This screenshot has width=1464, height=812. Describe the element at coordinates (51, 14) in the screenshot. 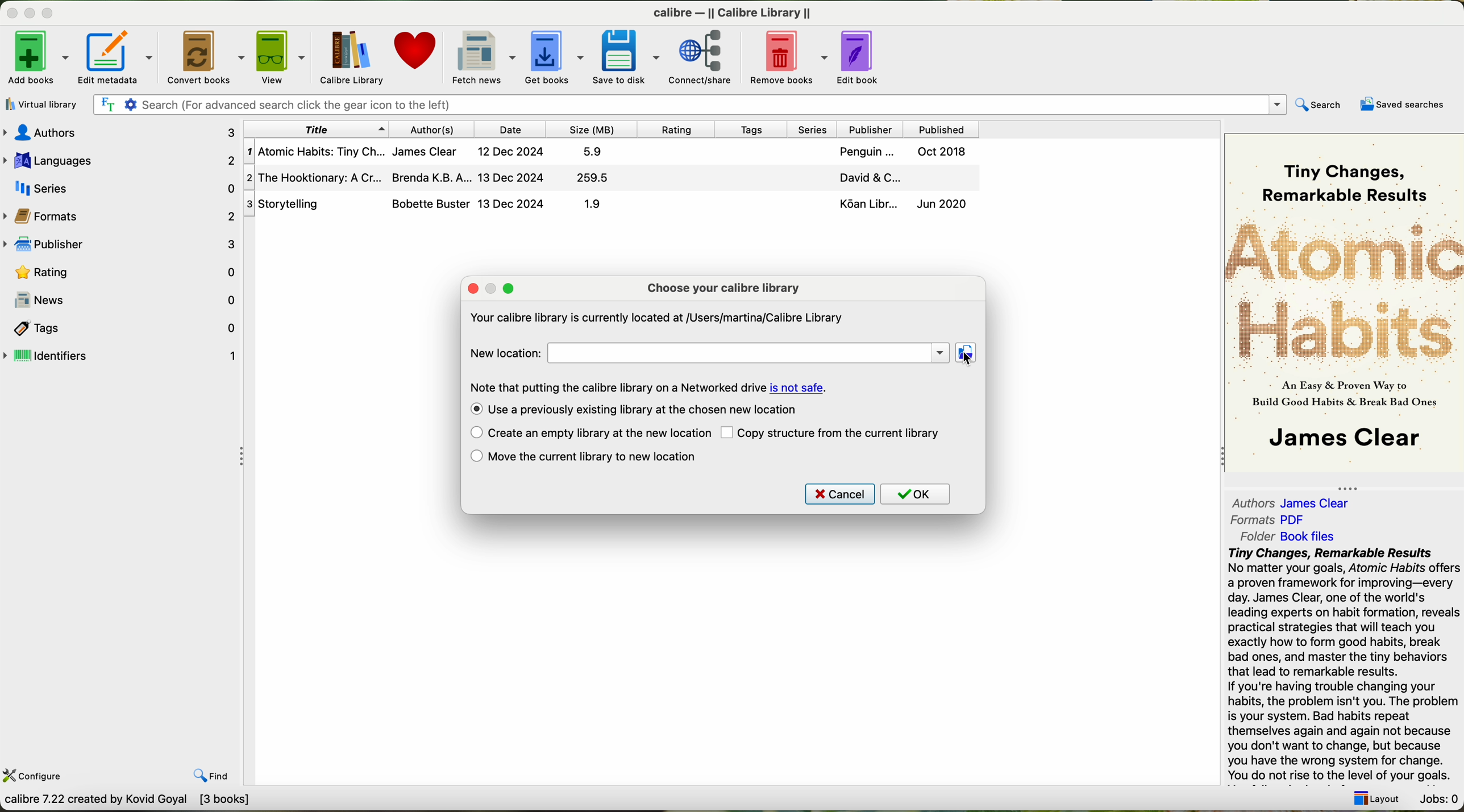

I see `maximize window` at that location.